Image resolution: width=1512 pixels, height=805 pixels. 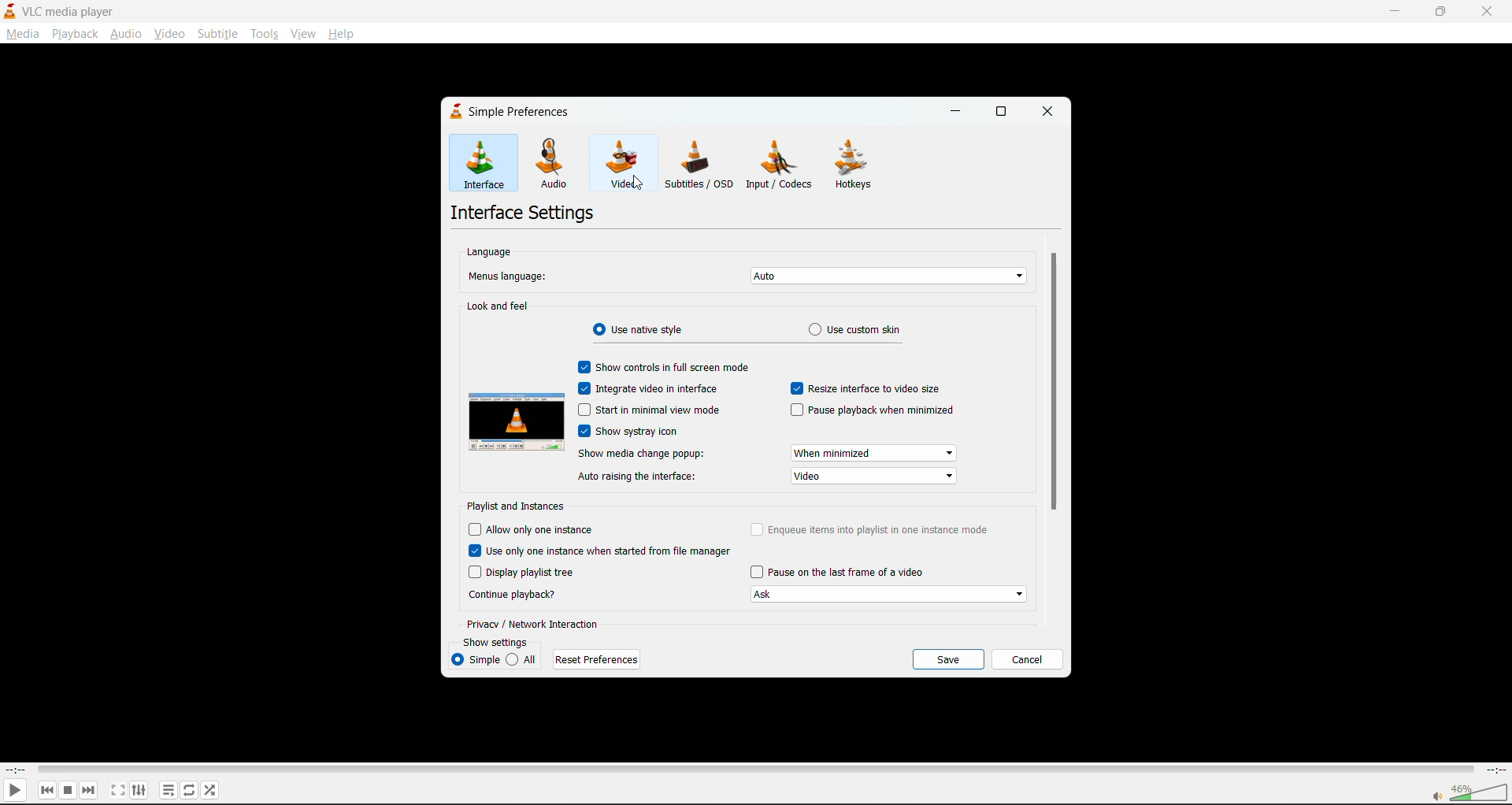 I want to click on show systray icon, so click(x=632, y=431).